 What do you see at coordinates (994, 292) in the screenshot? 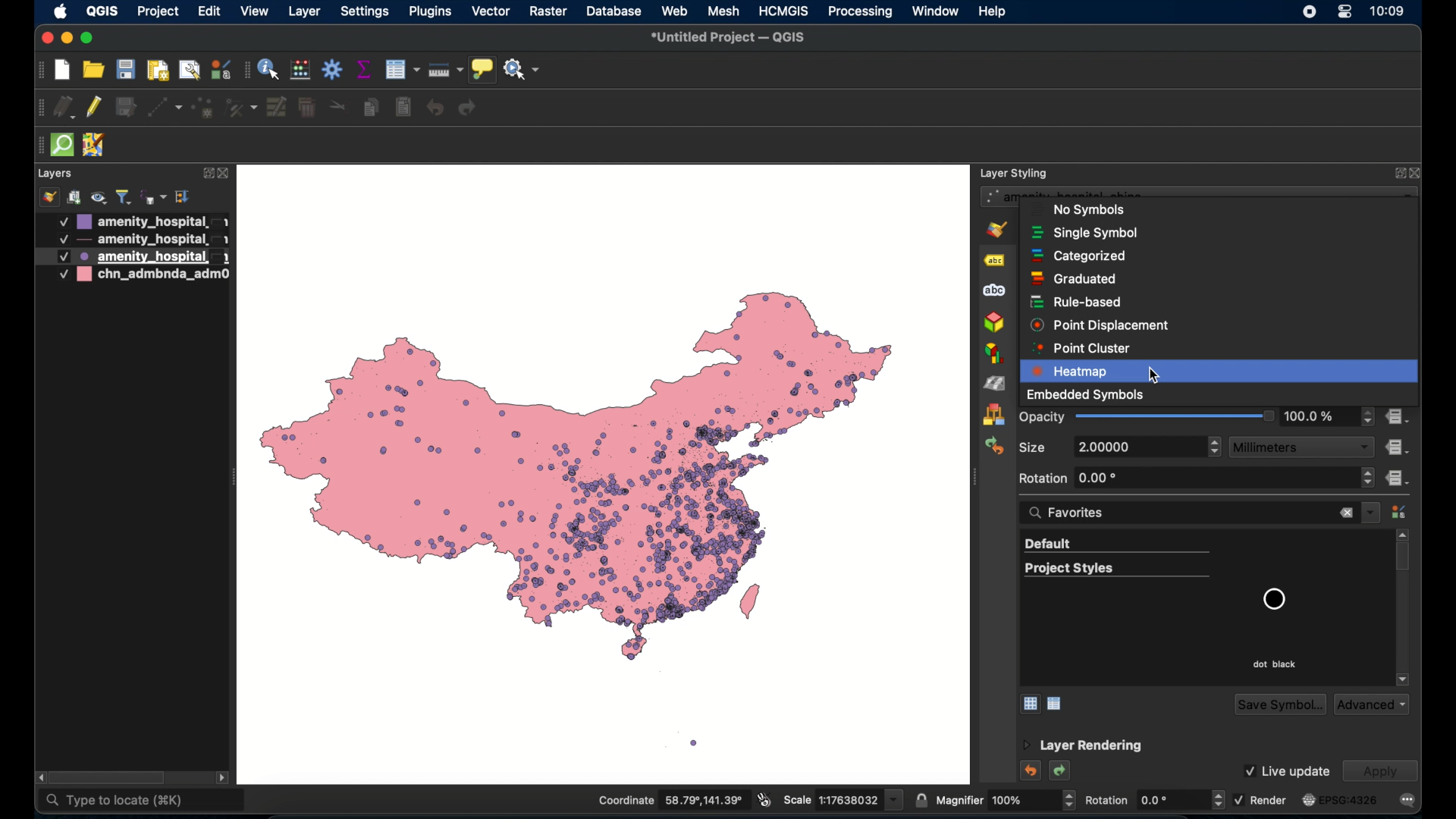
I see `masks` at bounding box center [994, 292].